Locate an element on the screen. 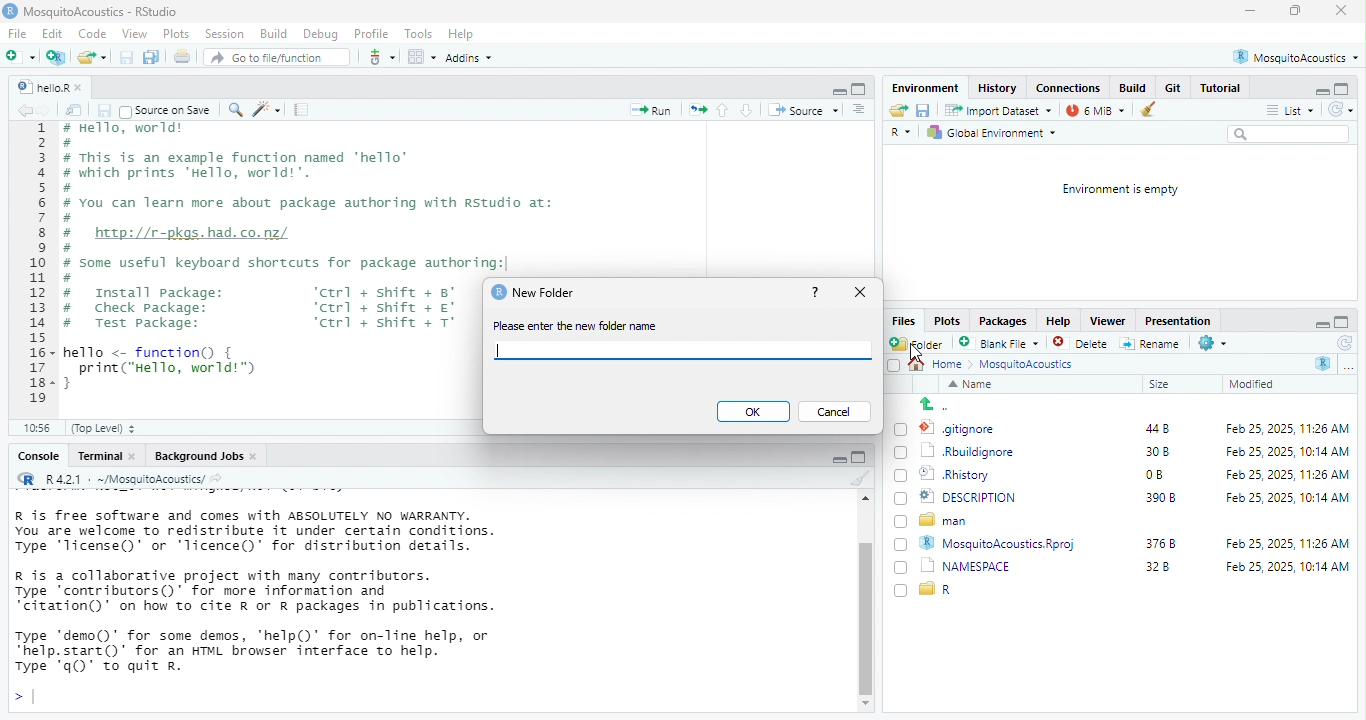 Image resolution: width=1366 pixels, height=720 pixels. edit is located at coordinates (52, 35).